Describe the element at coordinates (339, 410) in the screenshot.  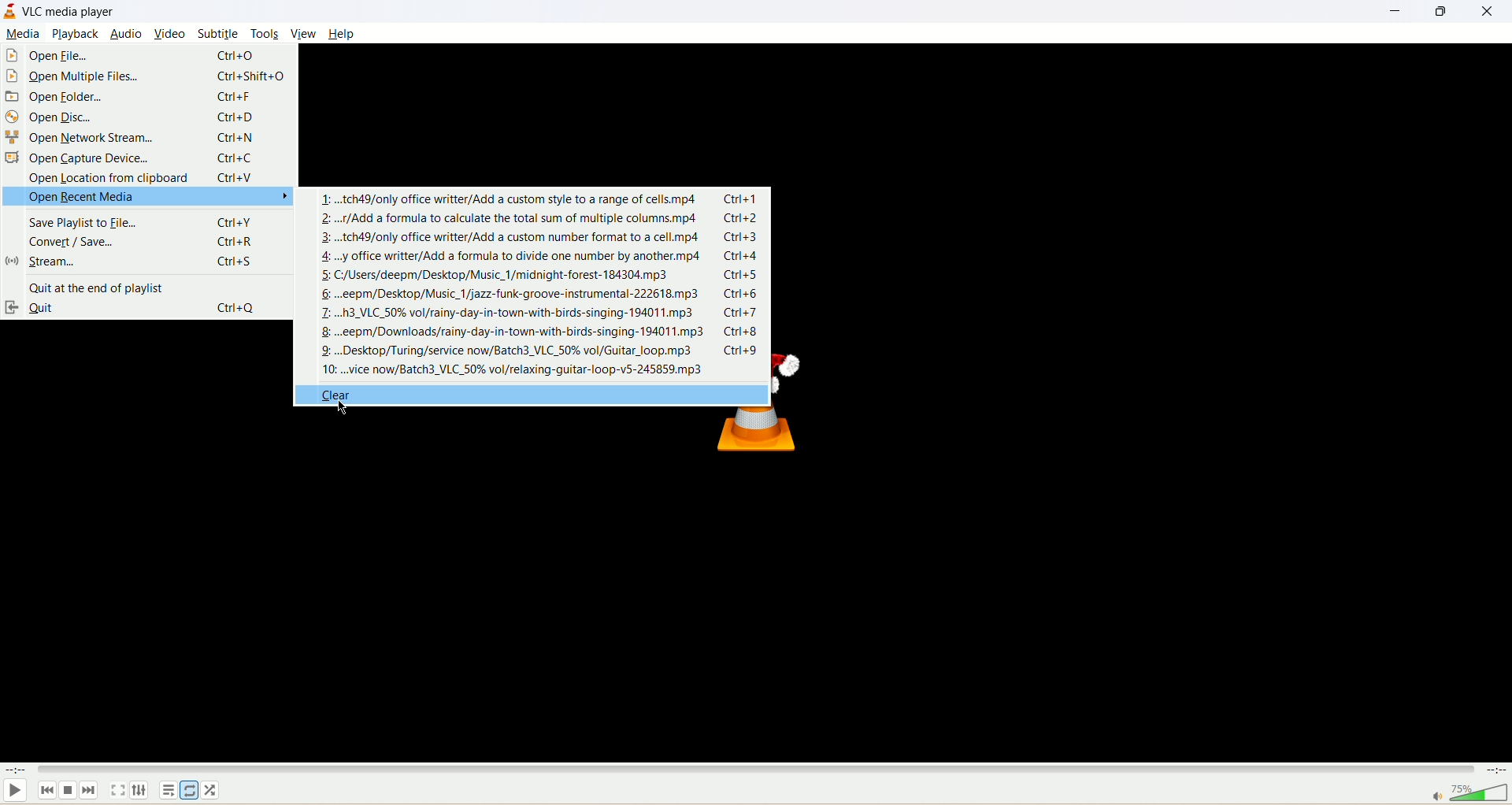
I see `cursor` at that location.